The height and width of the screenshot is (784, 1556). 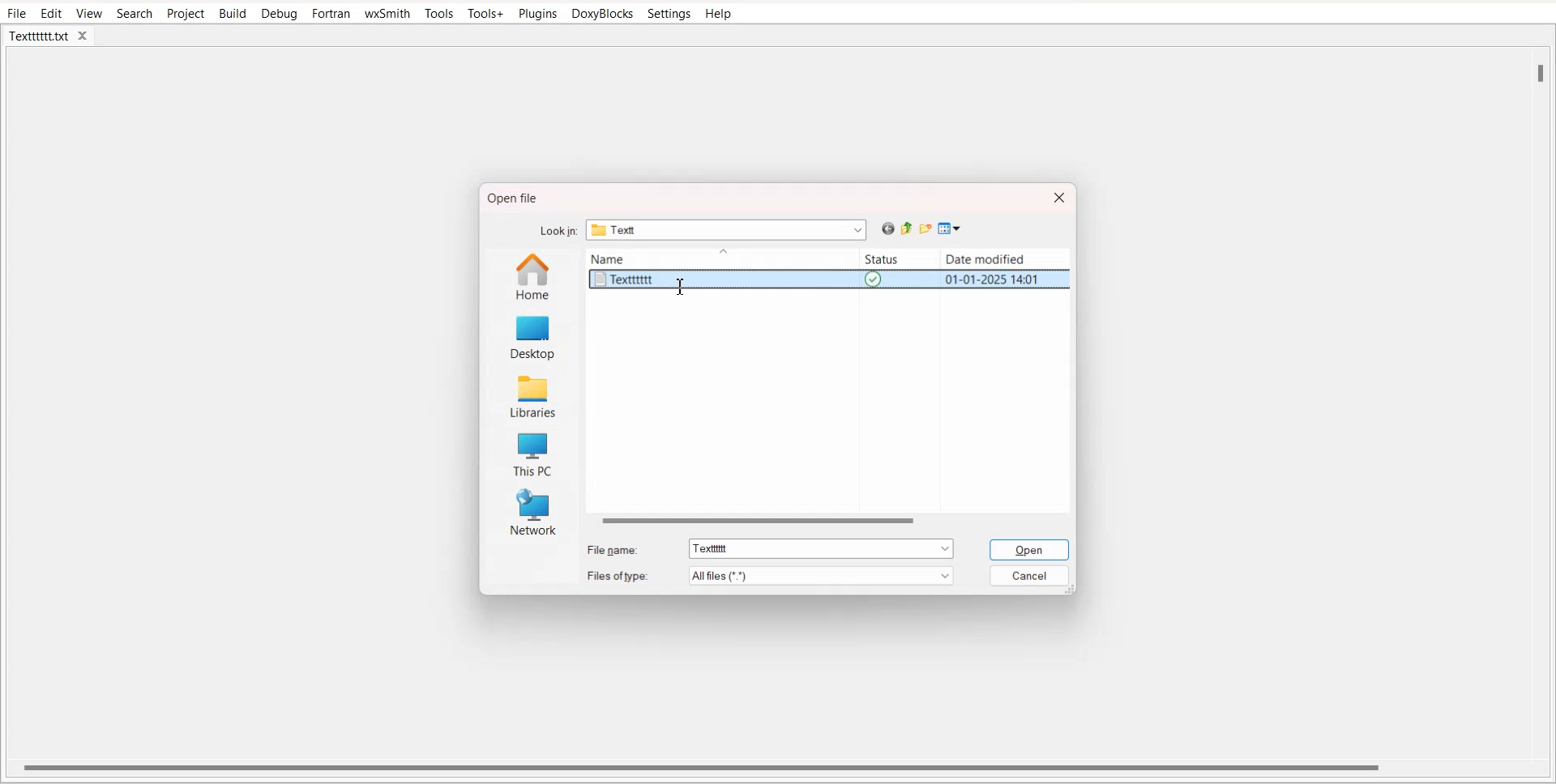 I want to click on wxSmith, so click(x=387, y=13).